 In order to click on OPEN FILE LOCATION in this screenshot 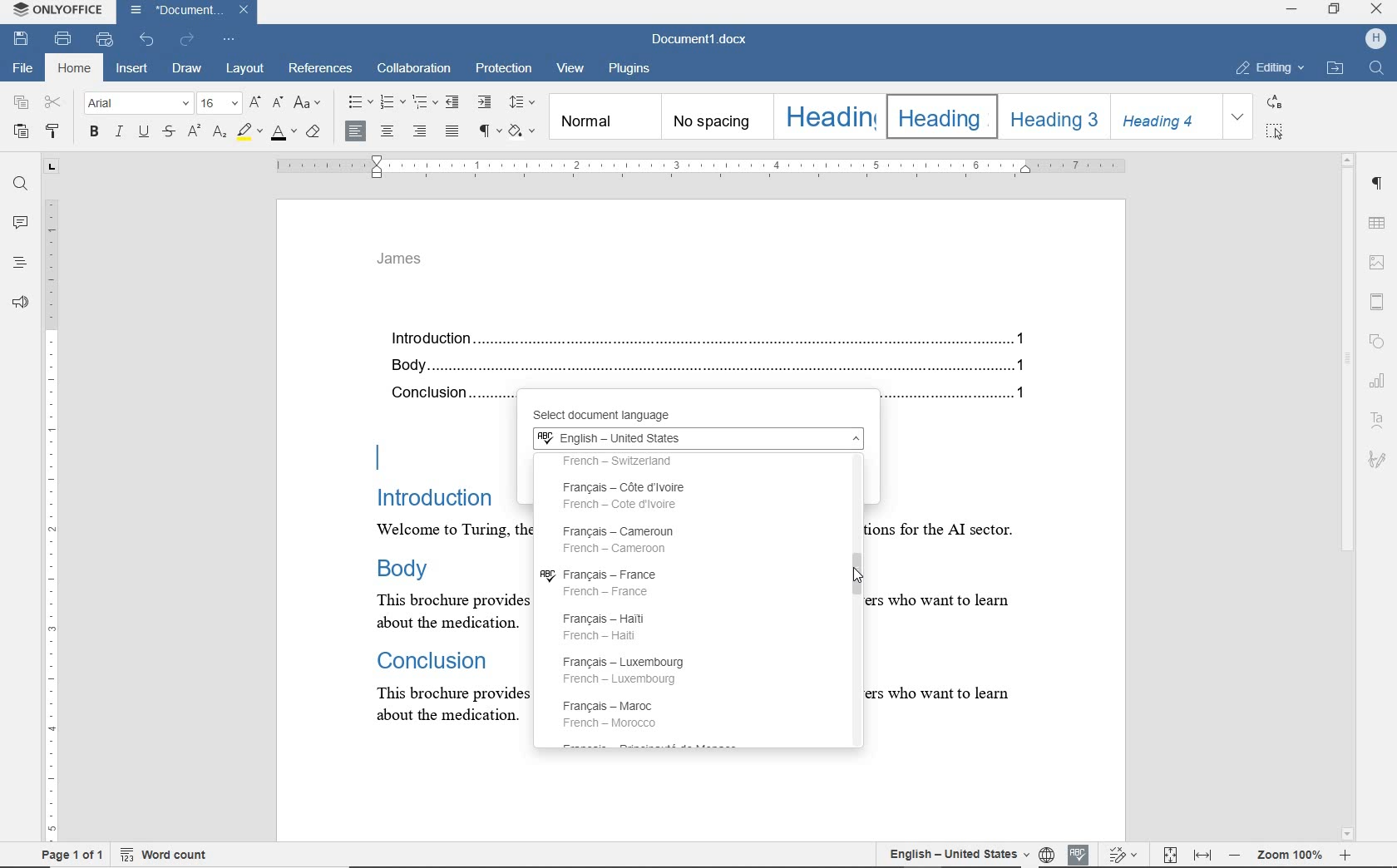, I will do `click(1335, 69)`.